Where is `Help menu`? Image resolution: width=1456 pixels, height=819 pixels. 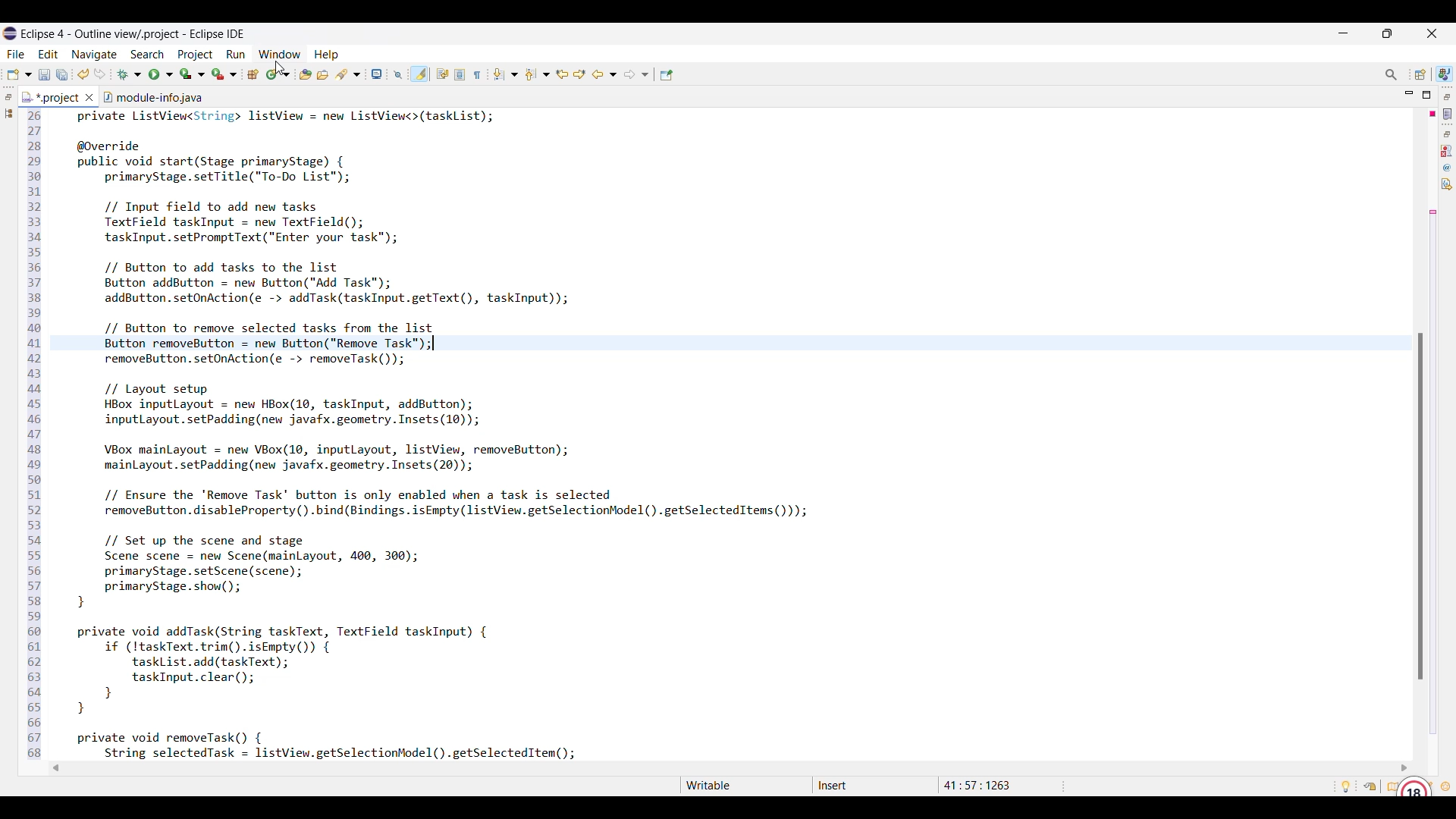 Help menu is located at coordinates (327, 55).